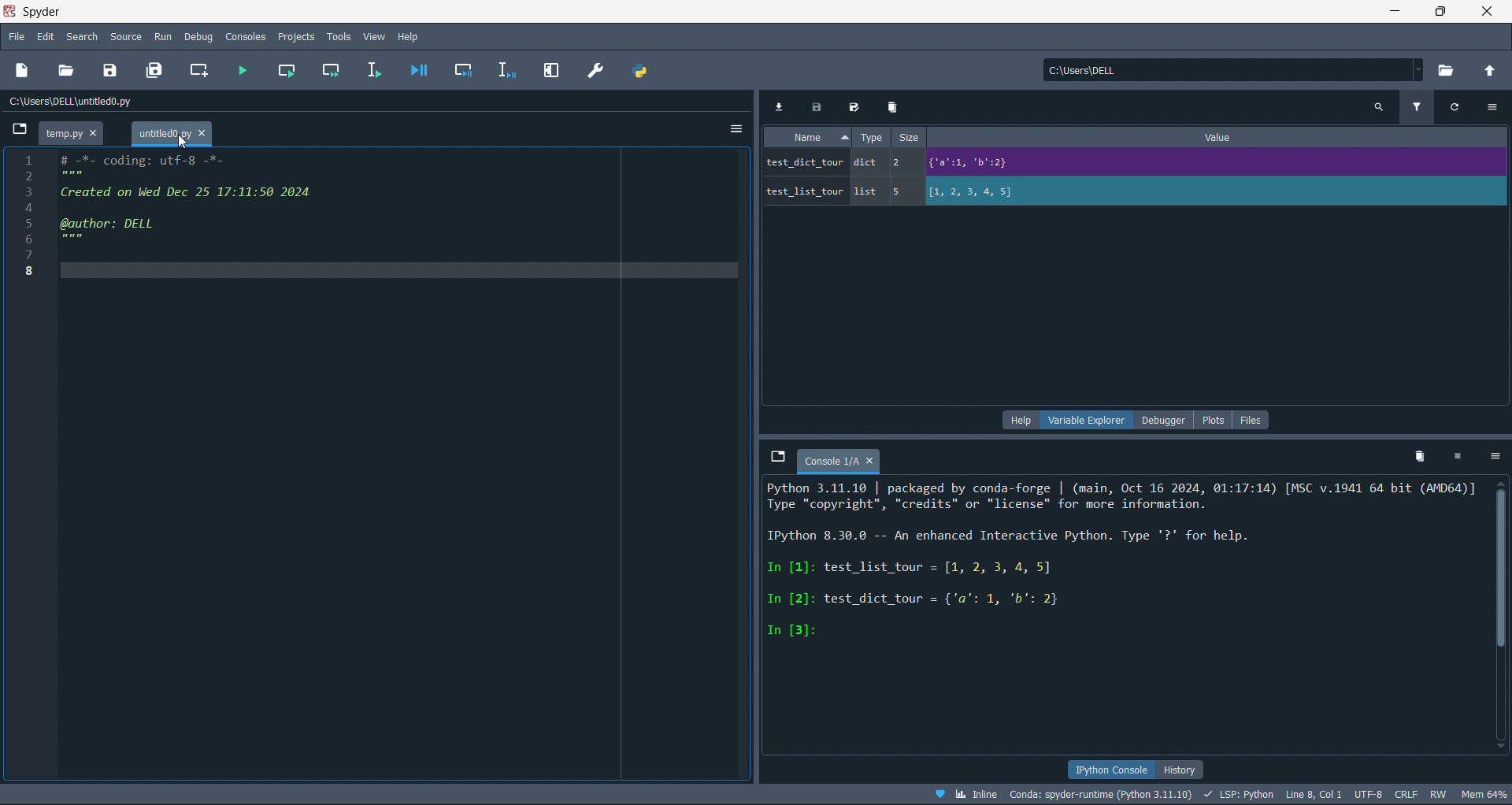  I want to click on name, so click(812, 135).